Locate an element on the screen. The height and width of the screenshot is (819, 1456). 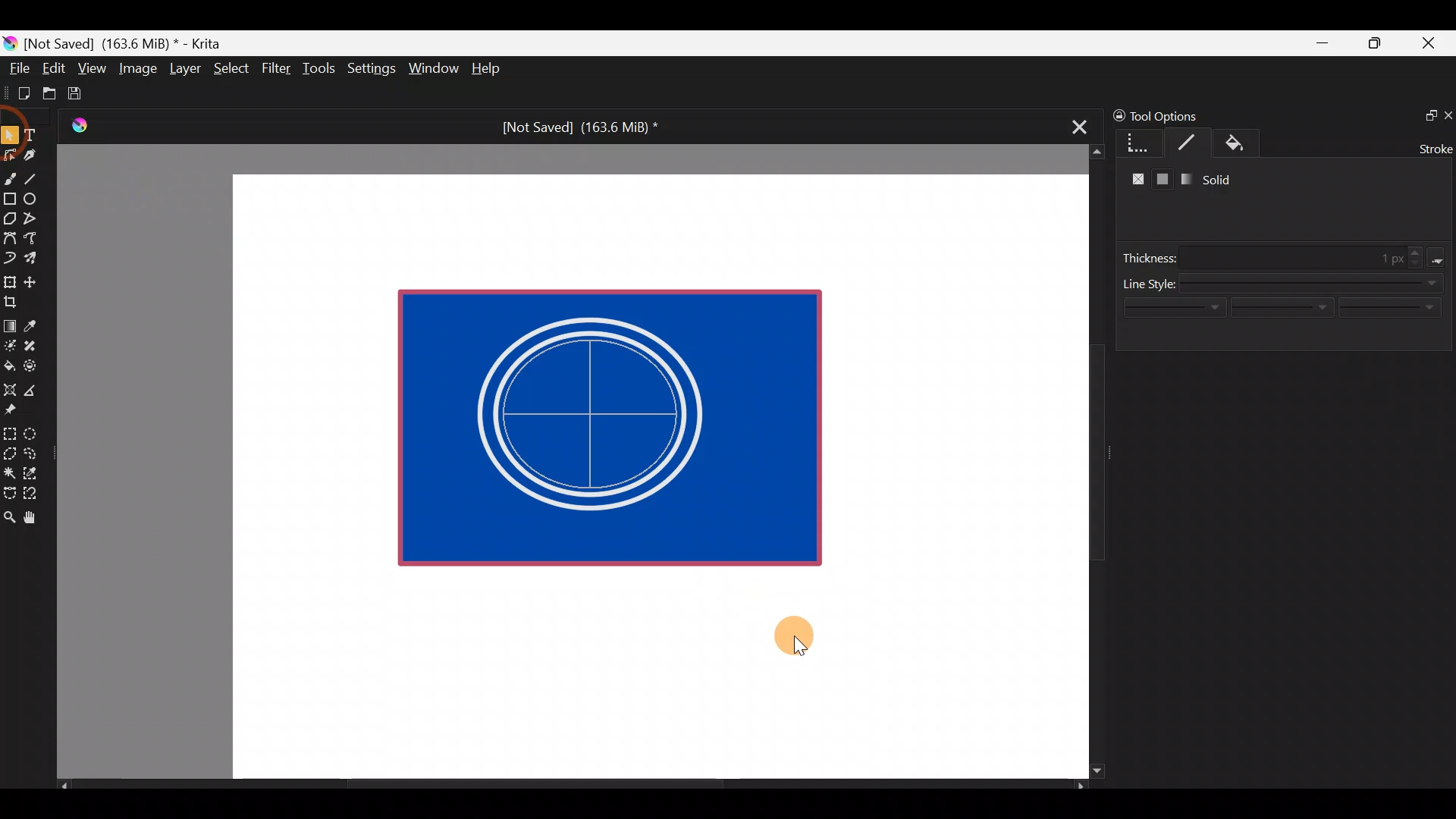
Minimize is located at coordinates (1323, 43).